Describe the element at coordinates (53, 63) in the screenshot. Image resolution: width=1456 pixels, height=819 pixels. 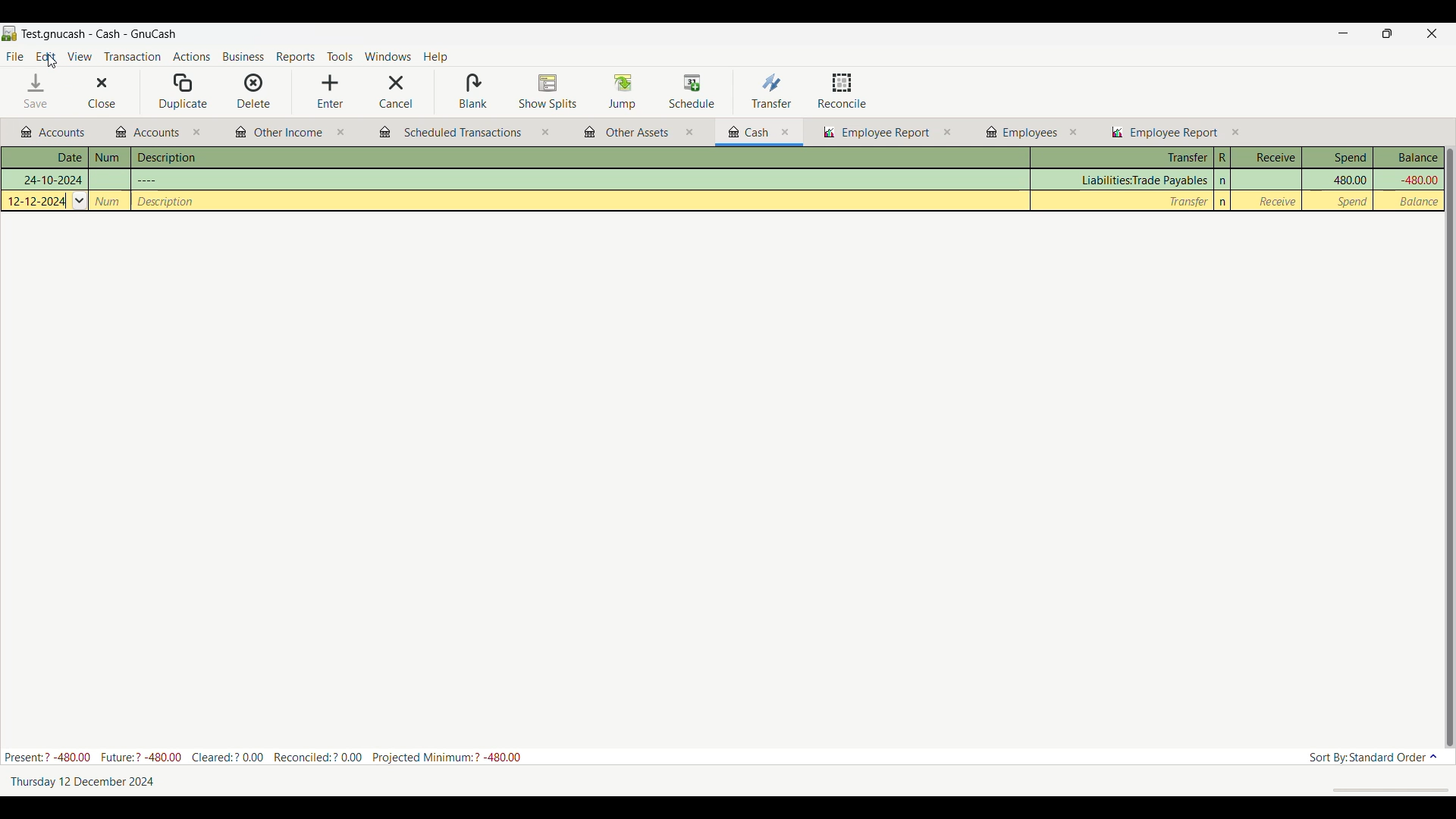
I see `cursor` at that location.